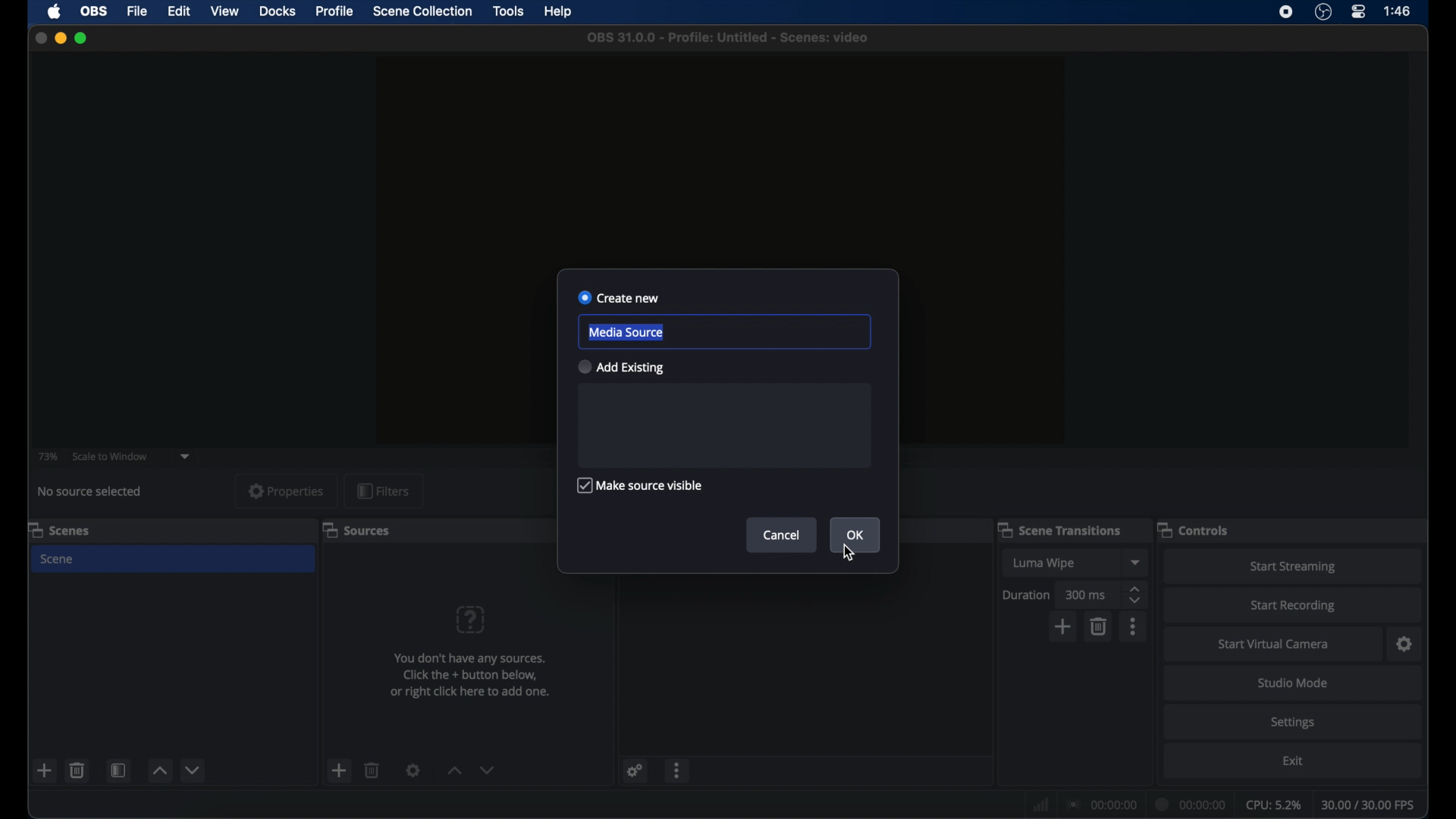 The height and width of the screenshot is (819, 1456). Describe the element at coordinates (1045, 563) in the screenshot. I see `luma wipe` at that location.